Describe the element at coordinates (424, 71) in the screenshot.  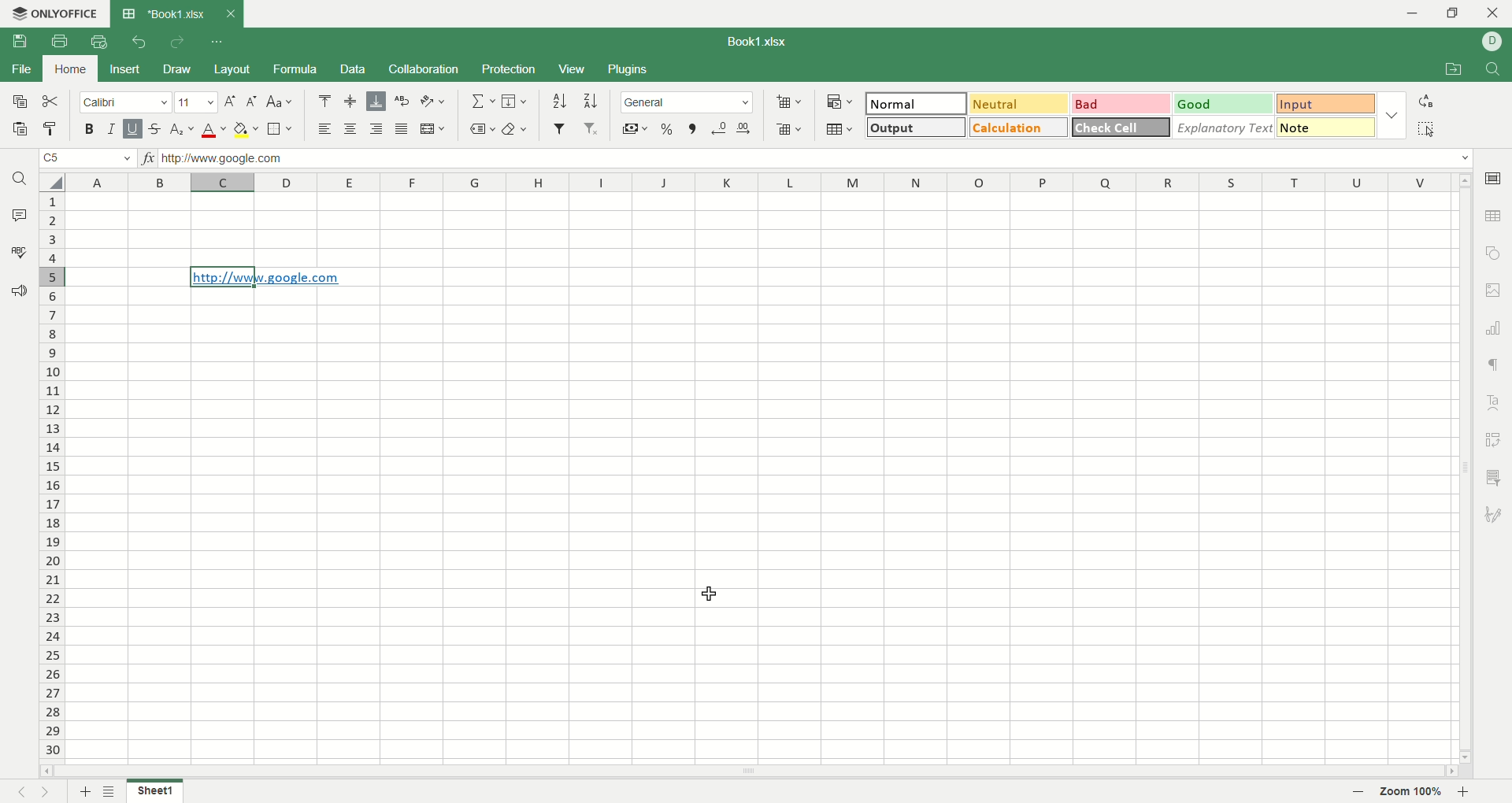
I see `collaboration` at that location.